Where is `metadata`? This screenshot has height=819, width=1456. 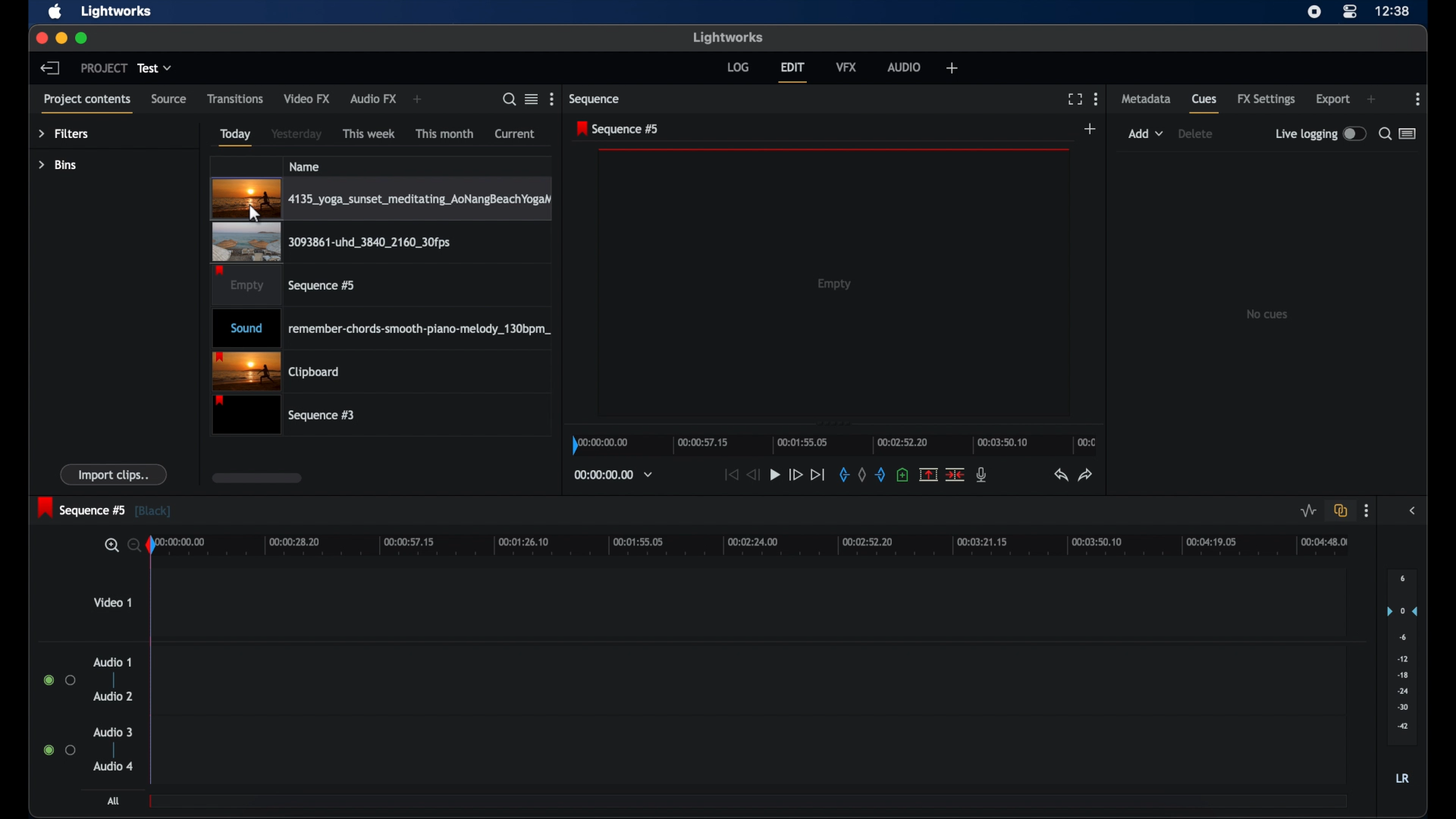 metadata is located at coordinates (1147, 99).